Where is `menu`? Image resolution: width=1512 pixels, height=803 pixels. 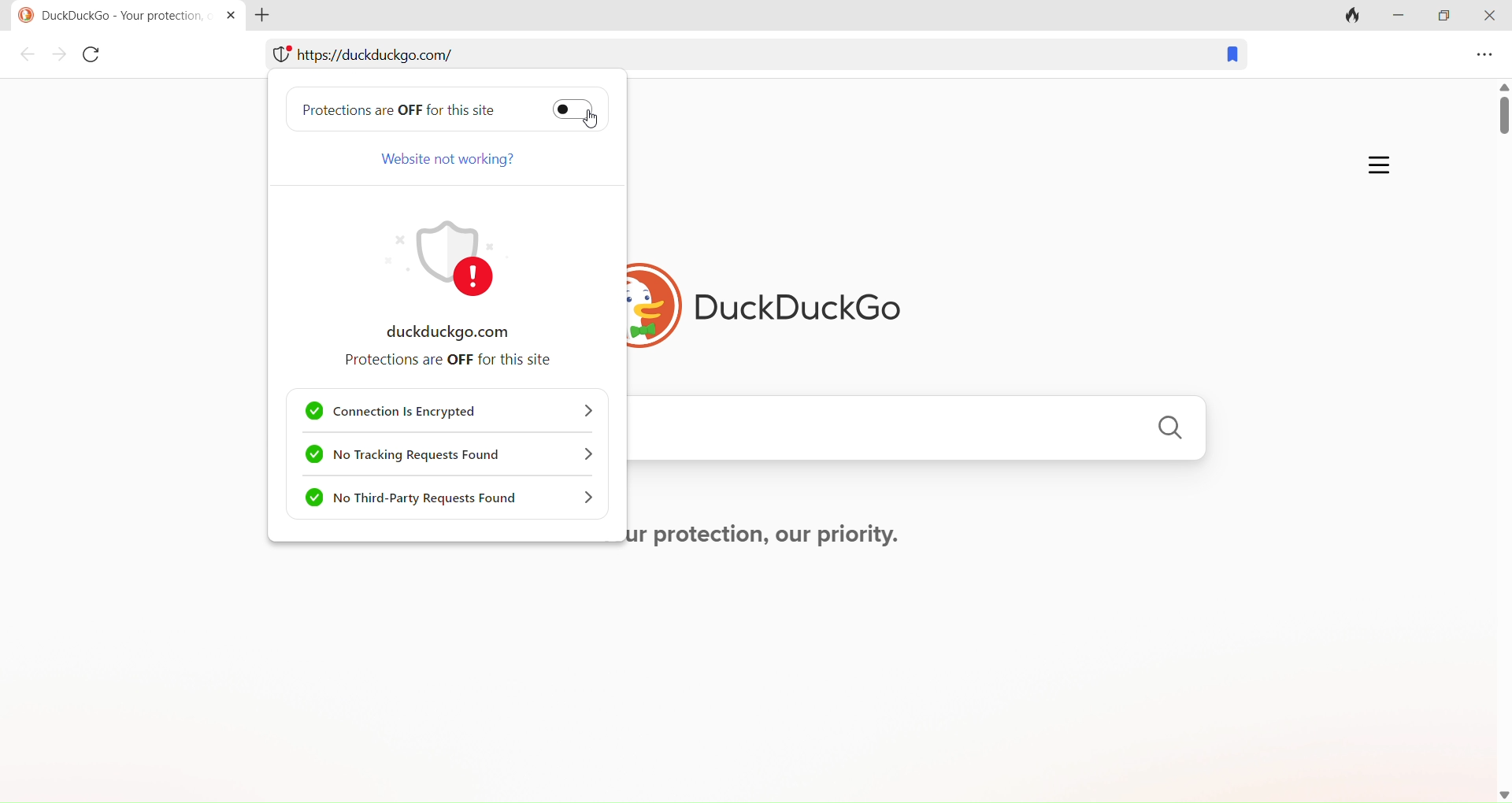 menu is located at coordinates (1482, 57).